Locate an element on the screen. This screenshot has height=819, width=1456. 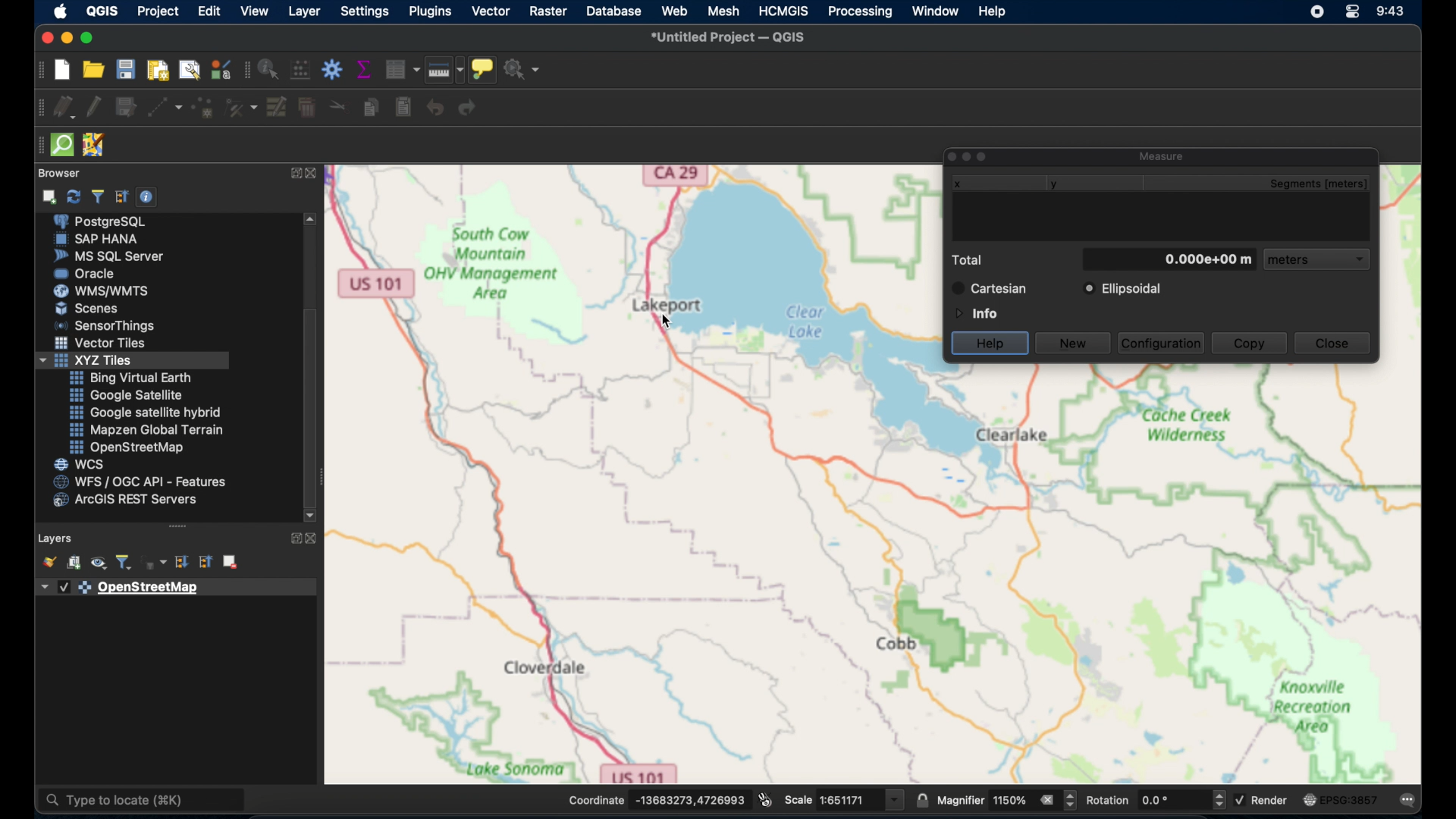
paste features is located at coordinates (403, 108).